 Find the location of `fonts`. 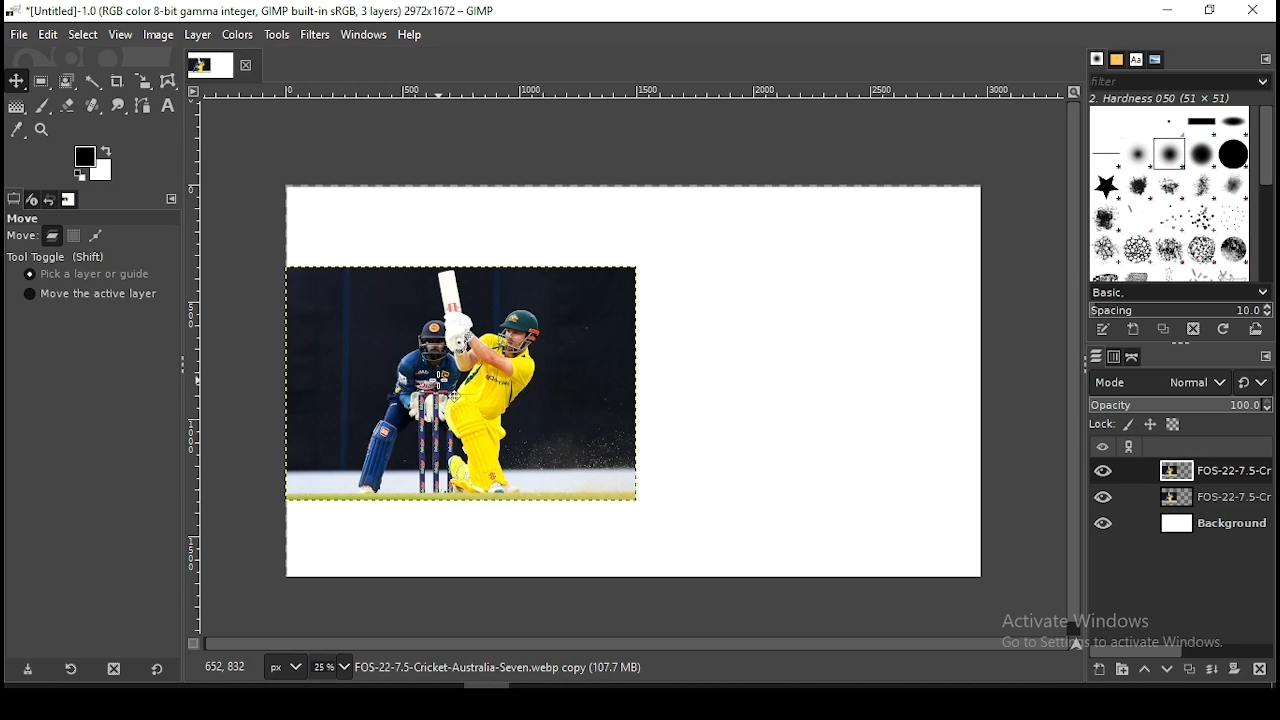

fonts is located at coordinates (1137, 59).